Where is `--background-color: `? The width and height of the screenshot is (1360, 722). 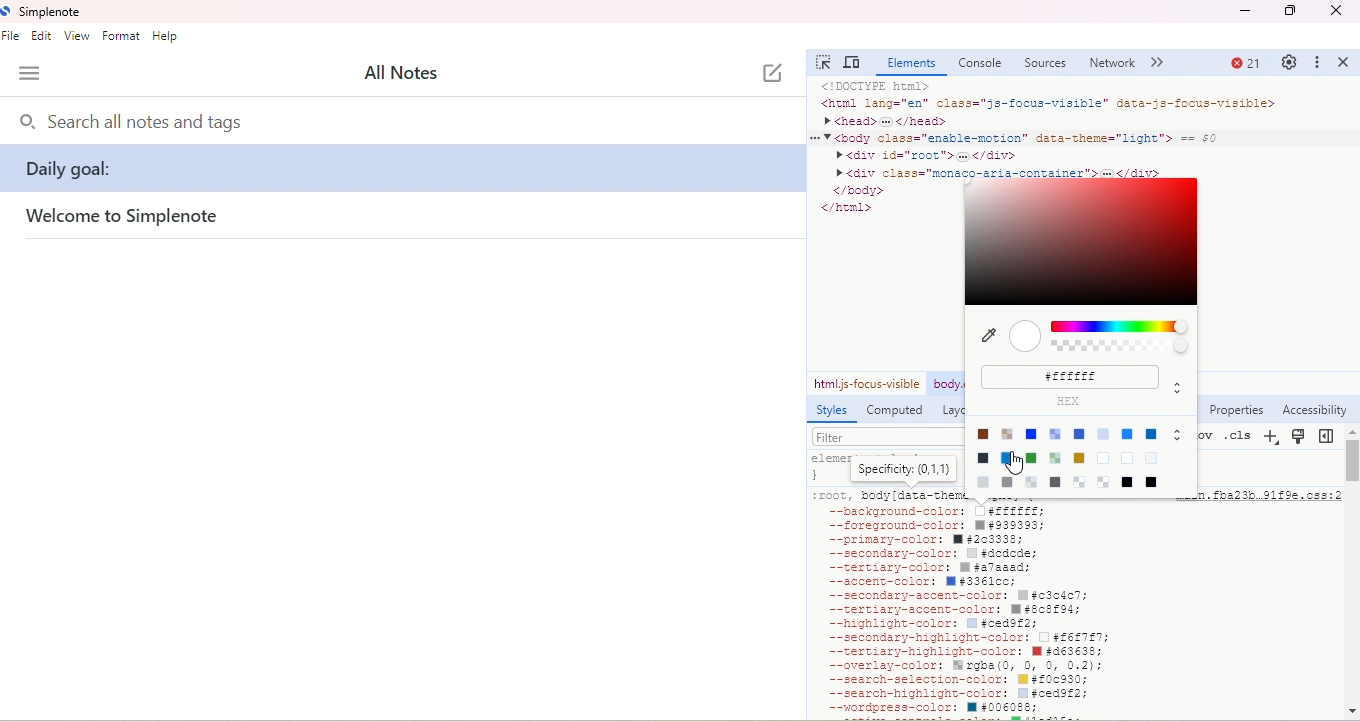 --background-color:  is located at coordinates (931, 512).